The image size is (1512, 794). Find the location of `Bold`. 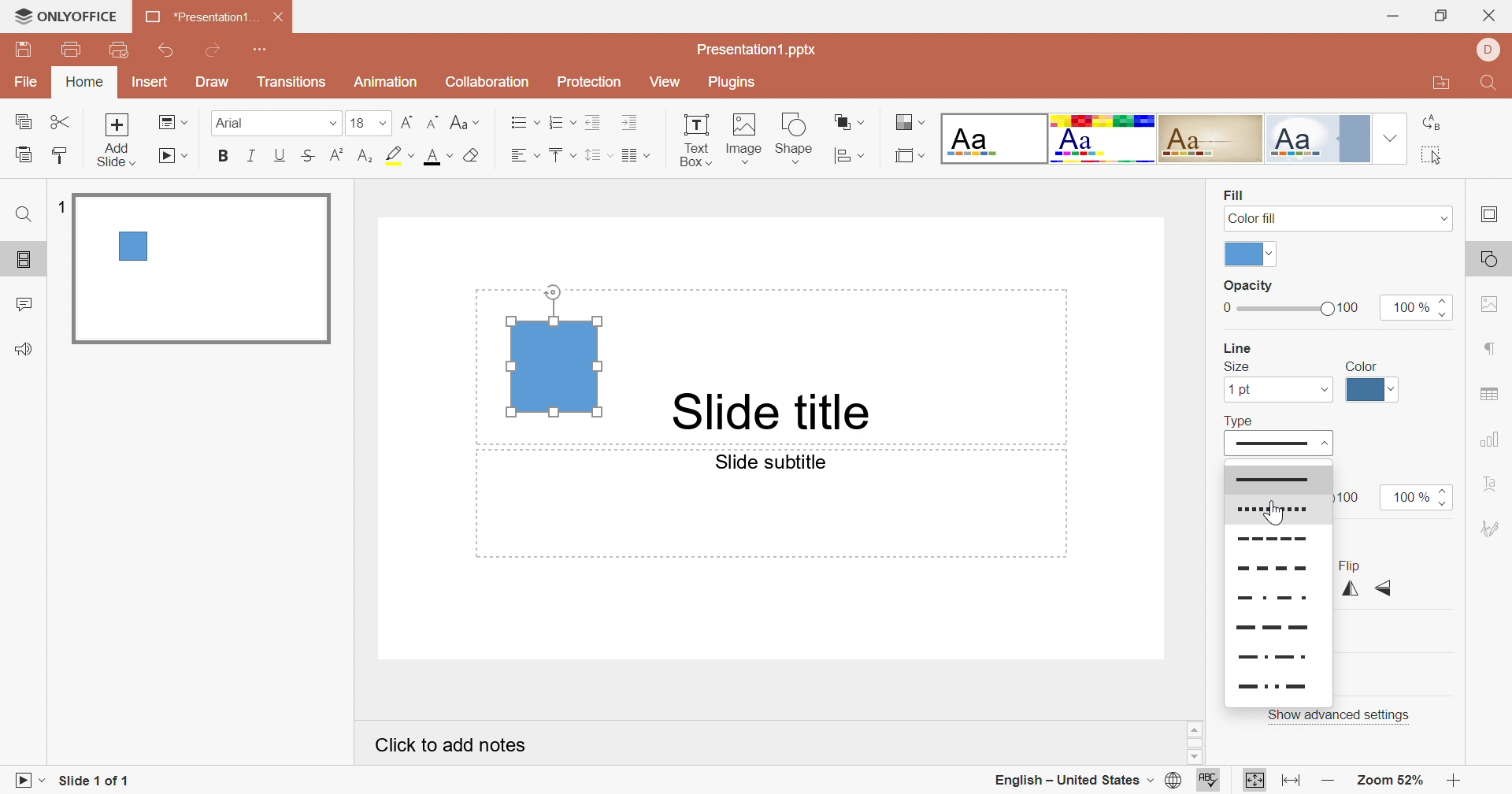

Bold is located at coordinates (224, 157).